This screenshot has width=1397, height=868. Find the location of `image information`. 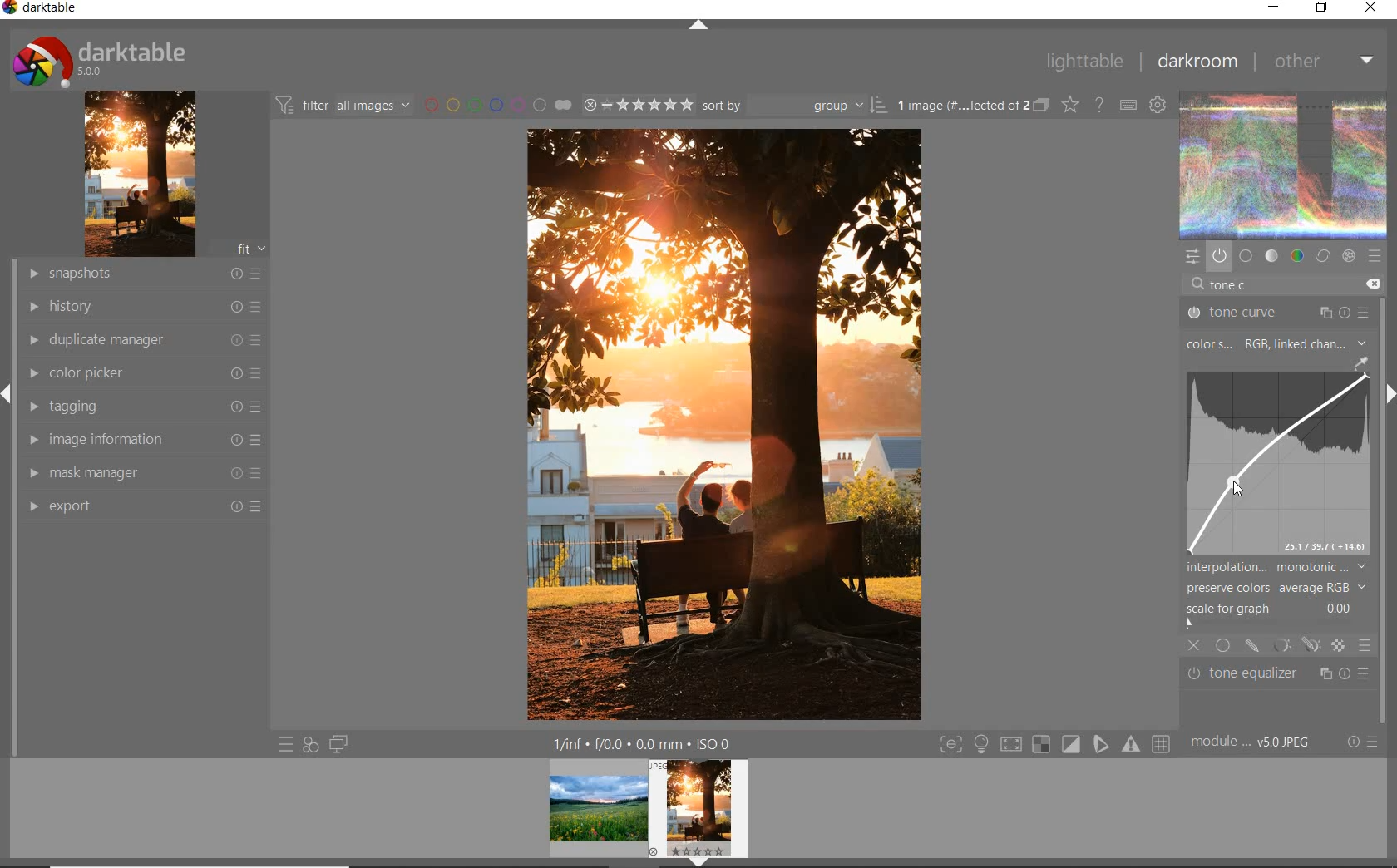

image information is located at coordinates (141, 439).